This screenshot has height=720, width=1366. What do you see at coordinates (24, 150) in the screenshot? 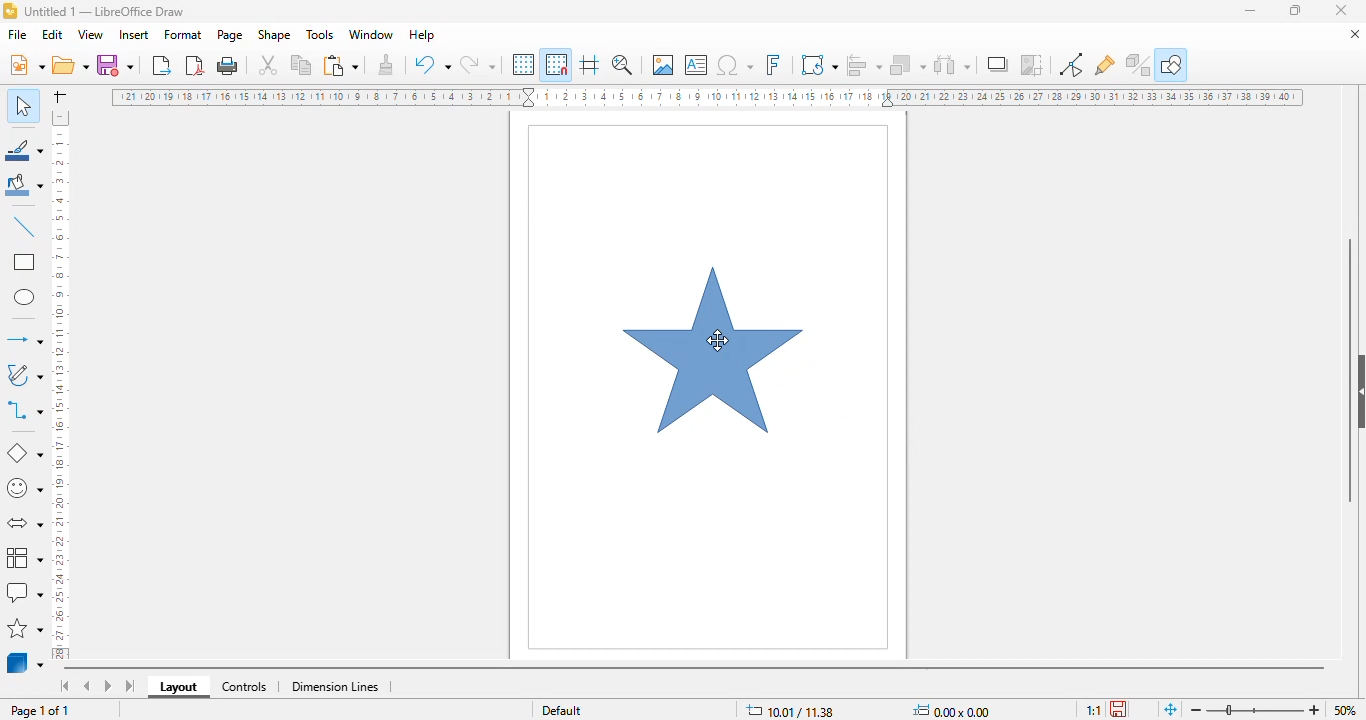
I see `line color` at bounding box center [24, 150].